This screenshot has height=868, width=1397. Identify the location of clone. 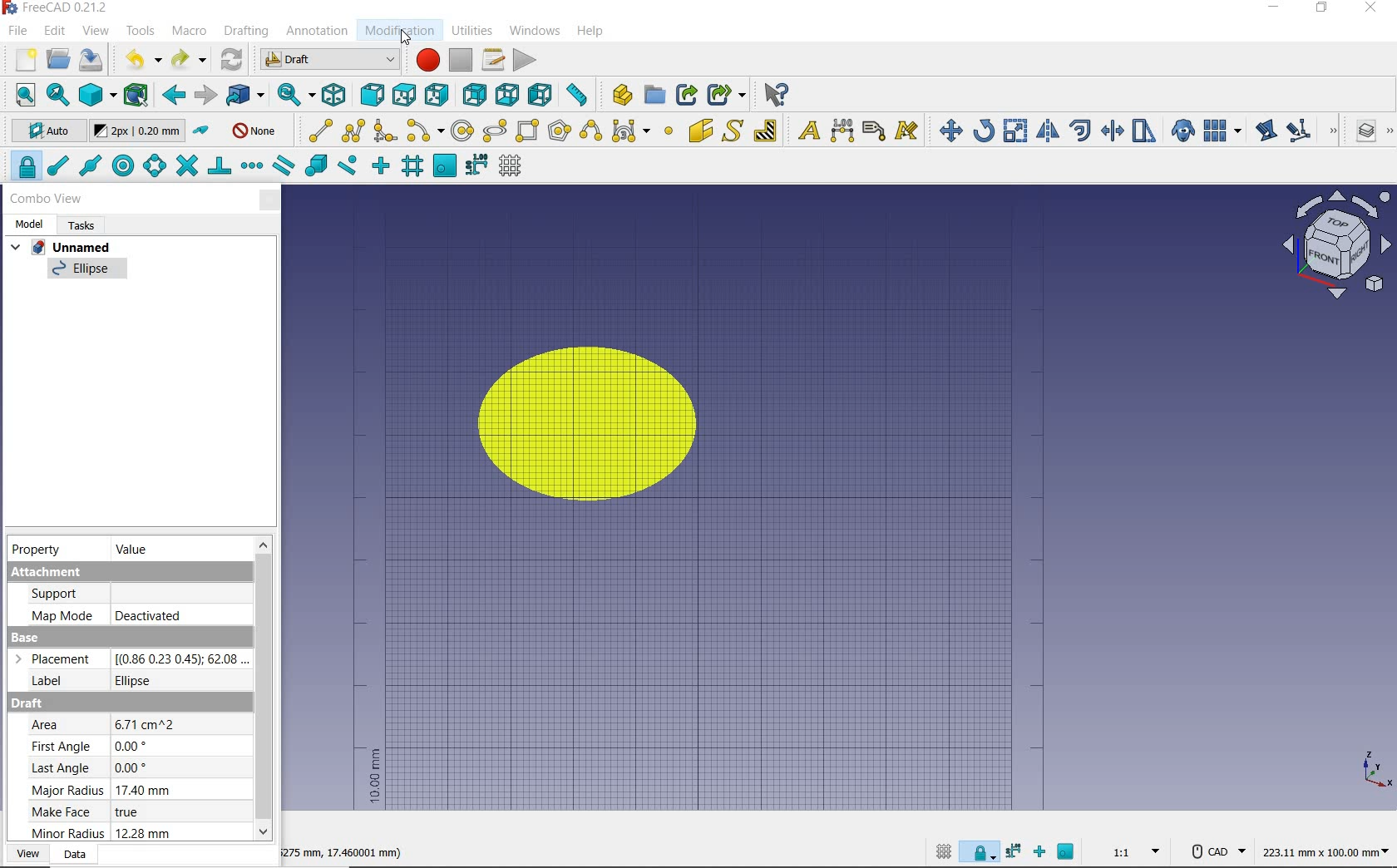
(1181, 130).